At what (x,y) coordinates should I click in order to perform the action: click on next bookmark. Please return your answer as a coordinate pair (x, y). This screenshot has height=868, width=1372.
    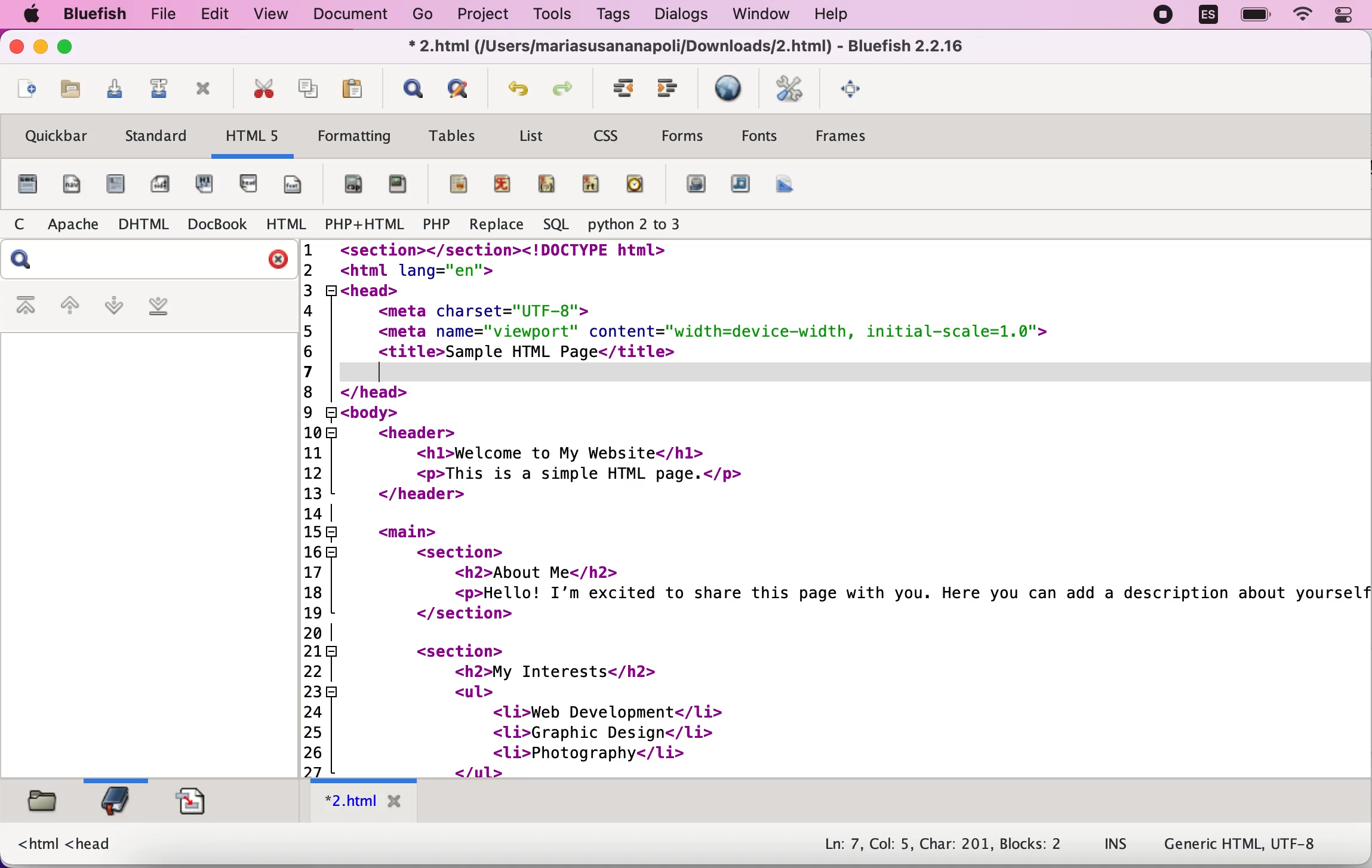
    Looking at the image, I should click on (115, 308).